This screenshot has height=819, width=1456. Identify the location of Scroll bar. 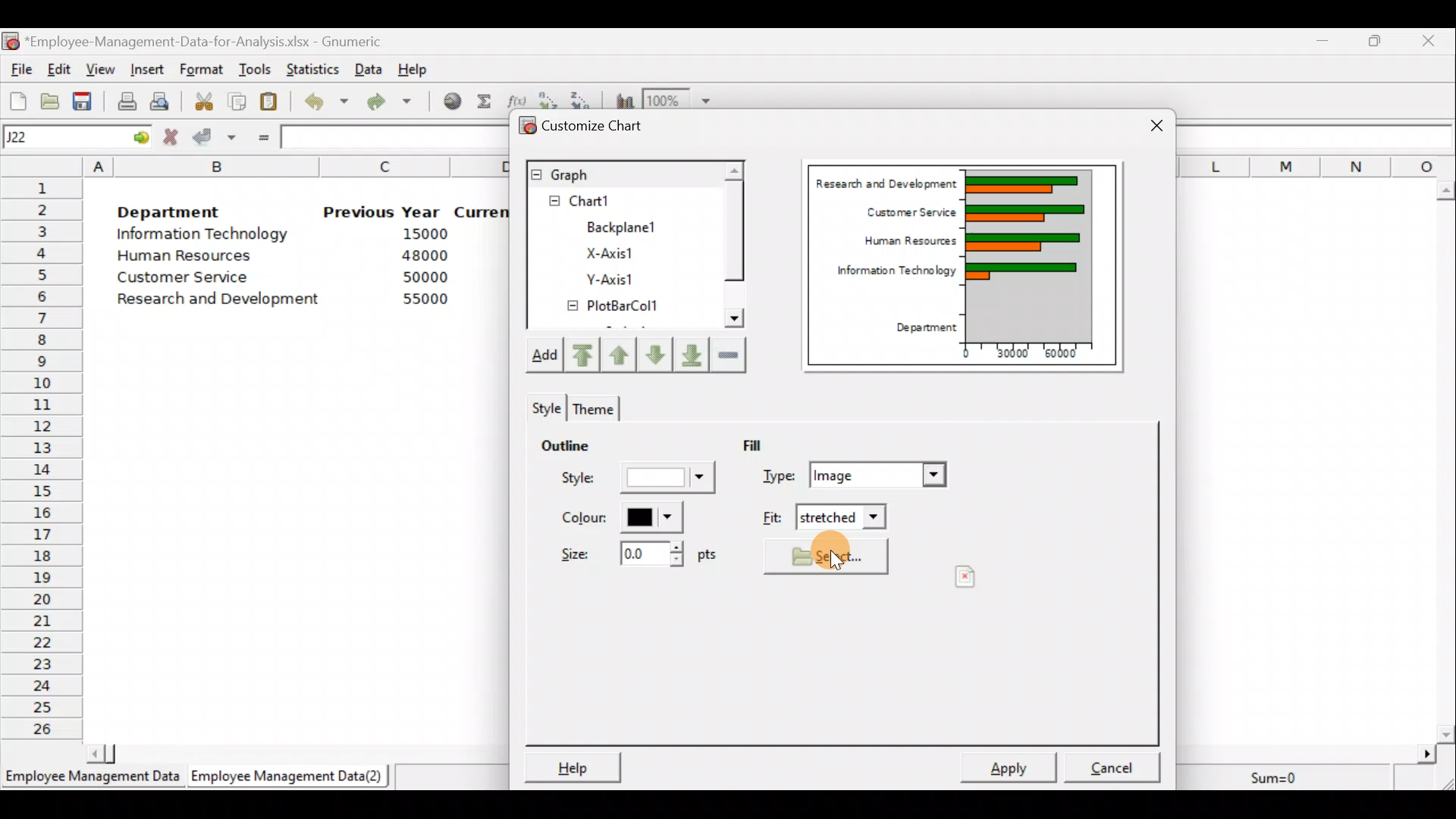
(1447, 457).